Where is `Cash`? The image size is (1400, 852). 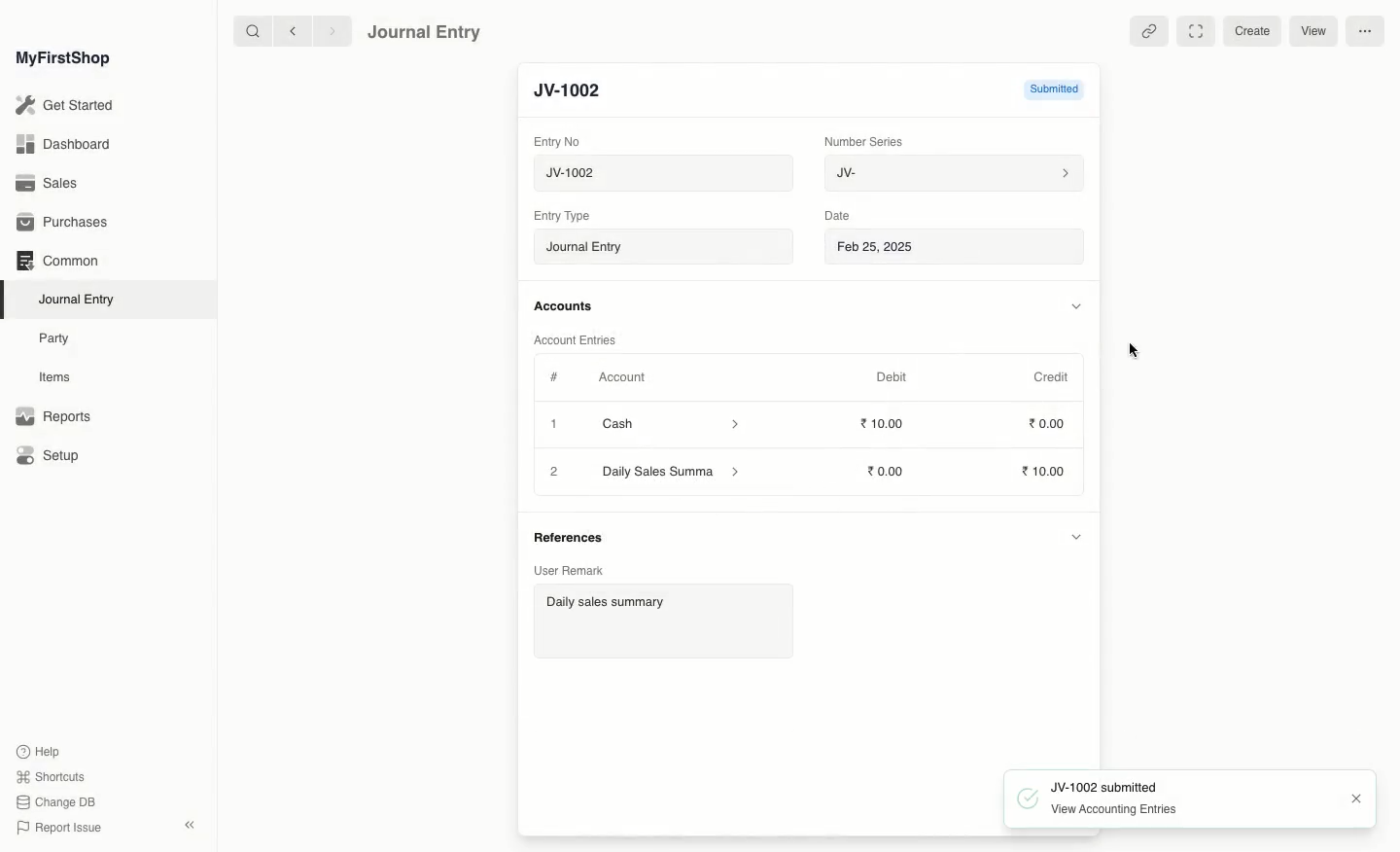
Cash is located at coordinates (670, 424).